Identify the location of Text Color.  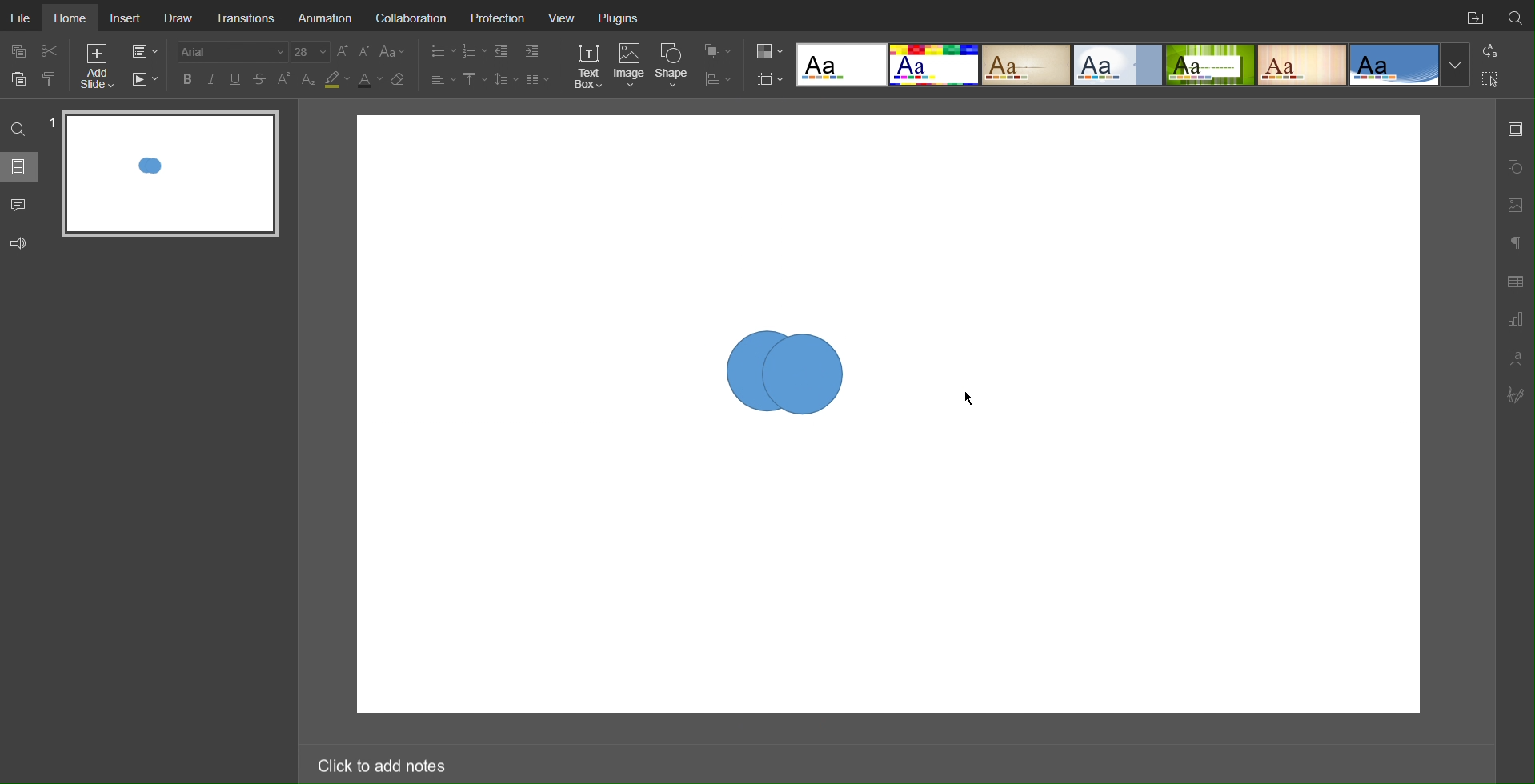
(369, 80).